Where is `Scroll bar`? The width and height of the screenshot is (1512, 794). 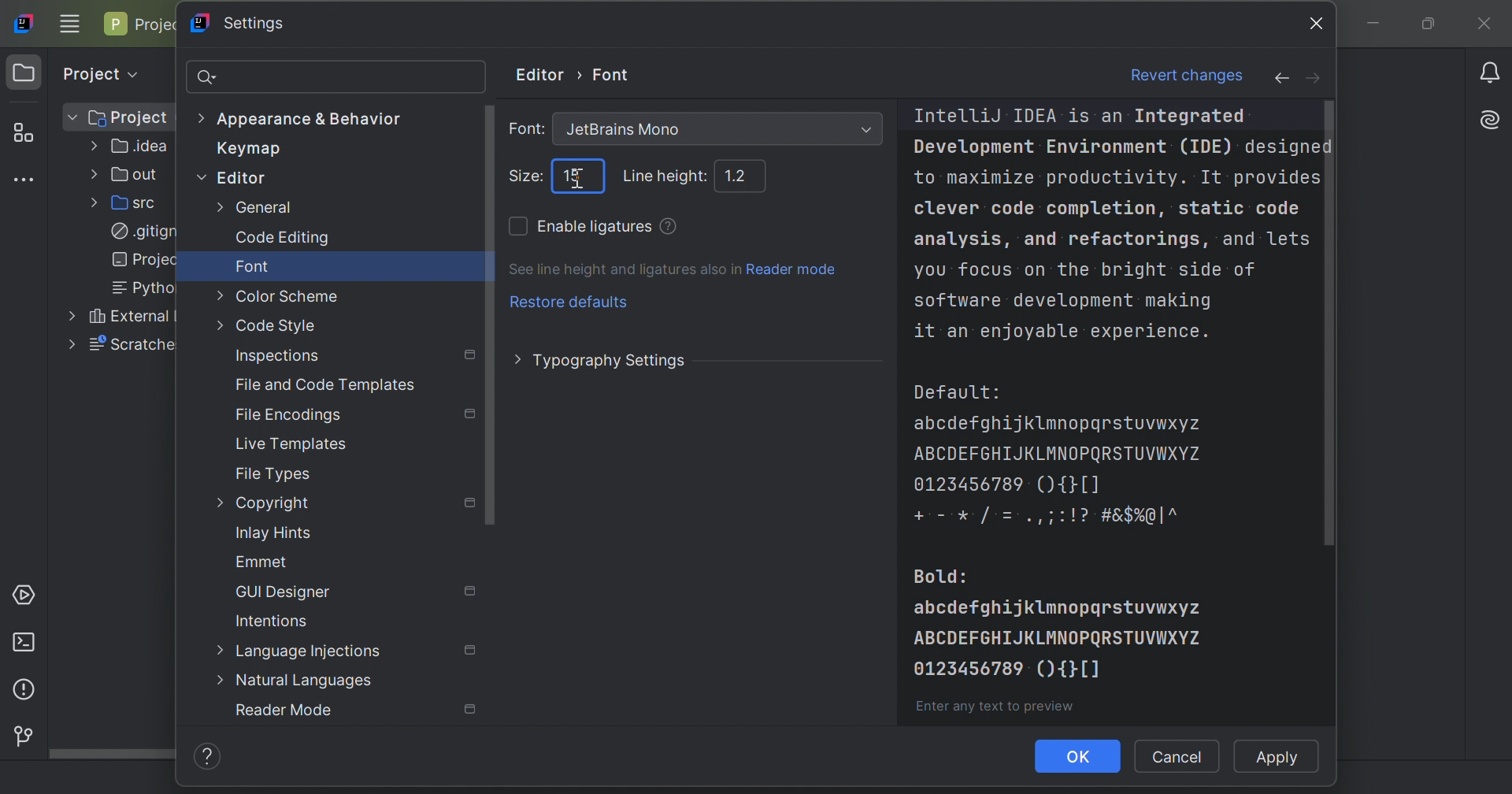
Scroll bar is located at coordinates (112, 755).